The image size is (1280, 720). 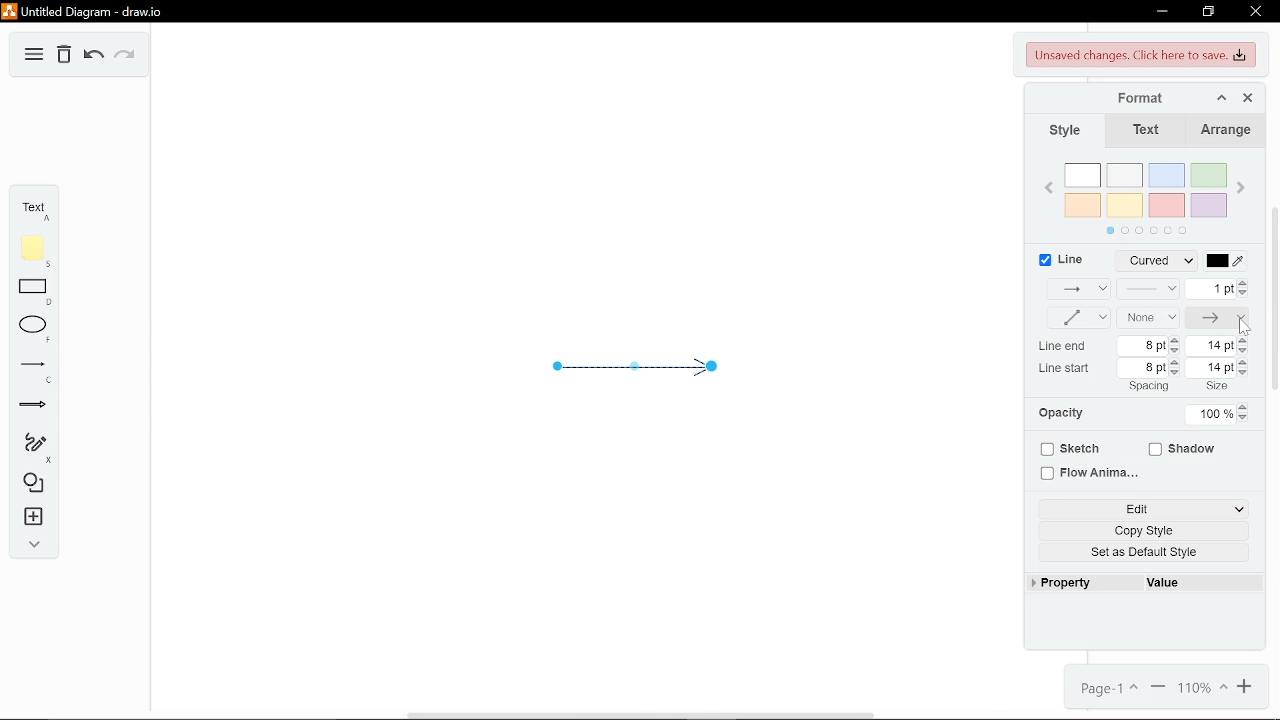 What do you see at coordinates (82, 11) in the screenshot?
I see `Untitled Diagram-draw.io` at bounding box center [82, 11].